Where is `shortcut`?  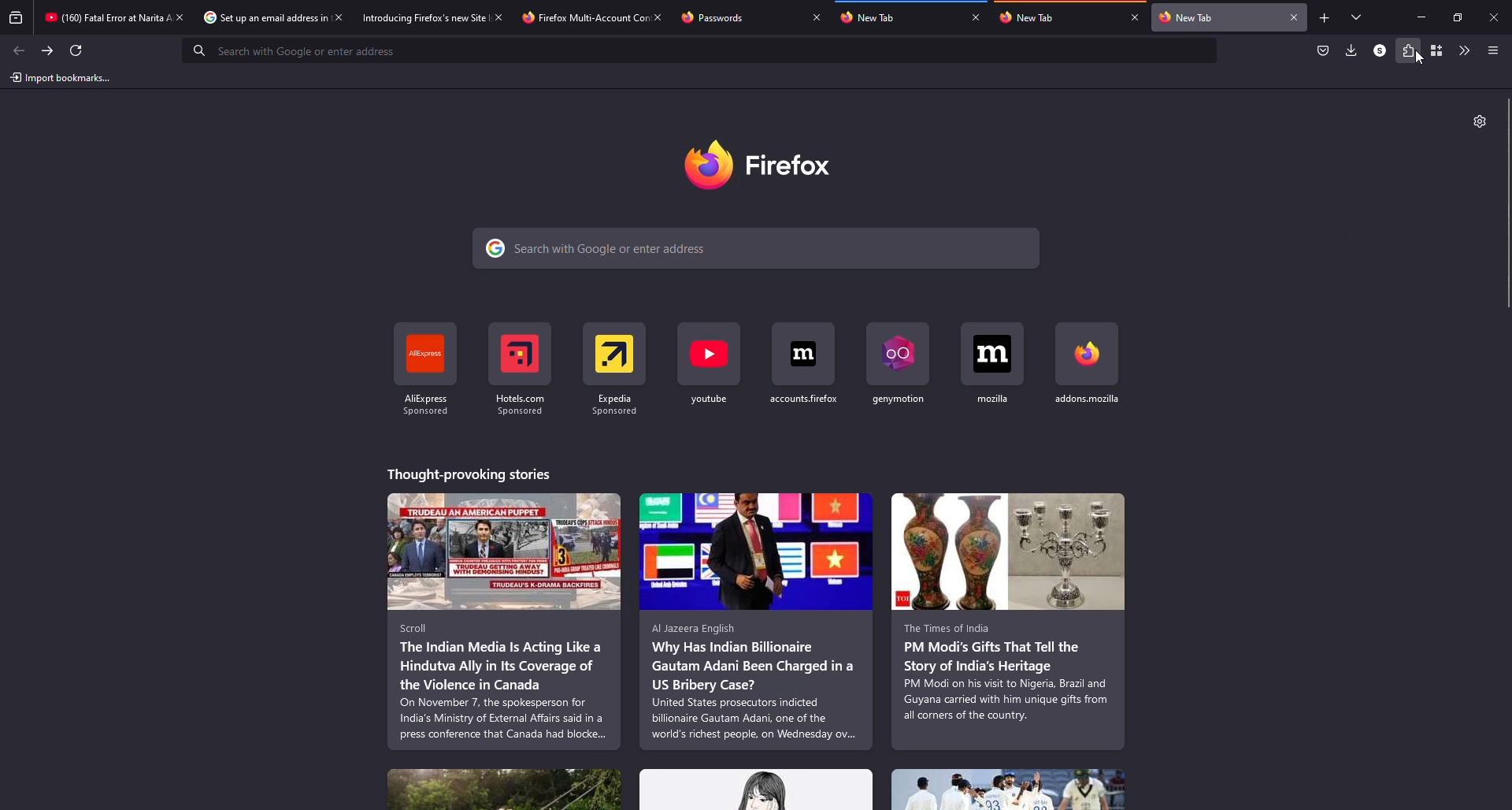 shortcut is located at coordinates (525, 367).